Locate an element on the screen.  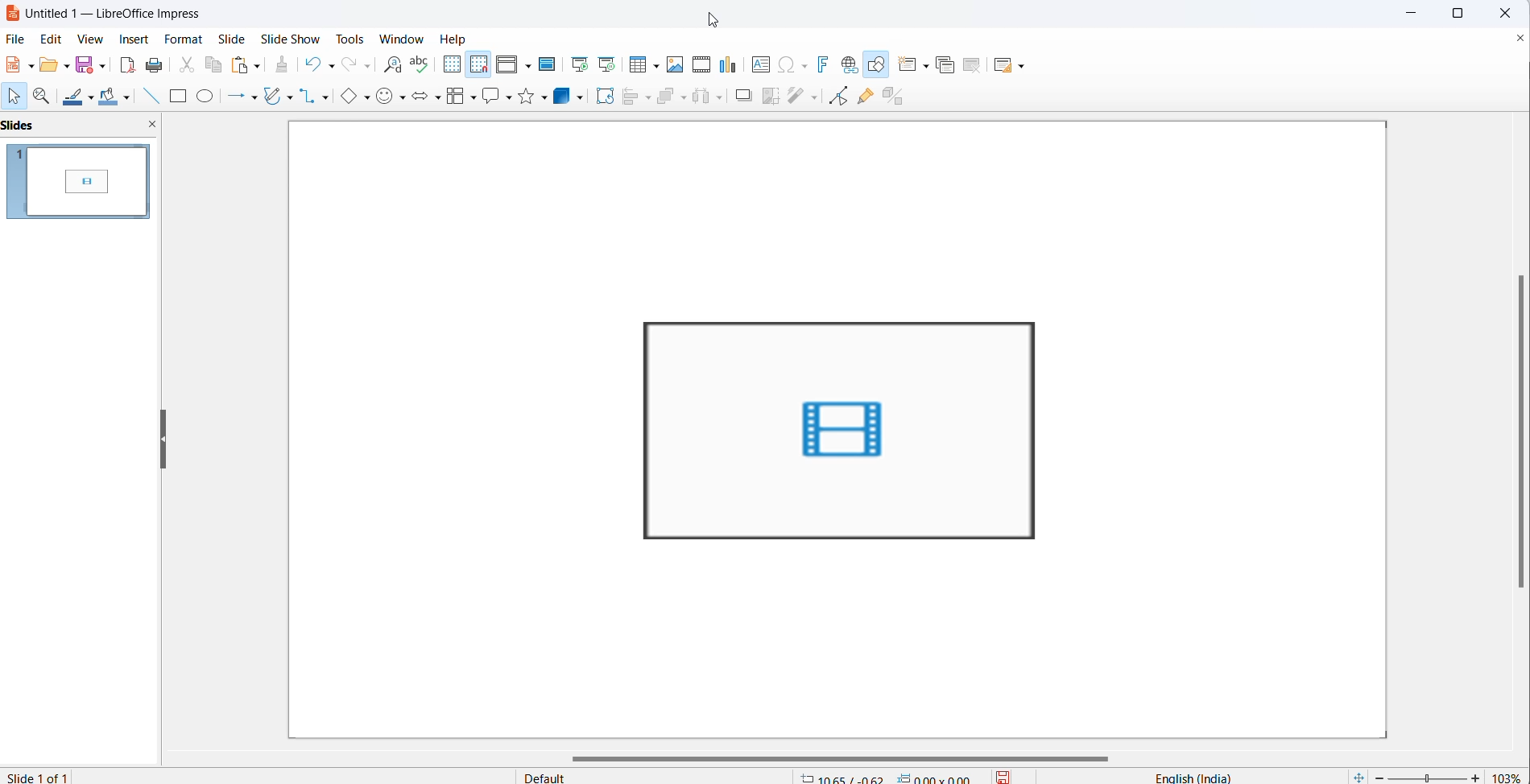
slide layout is located at coordinates (1006, 67).